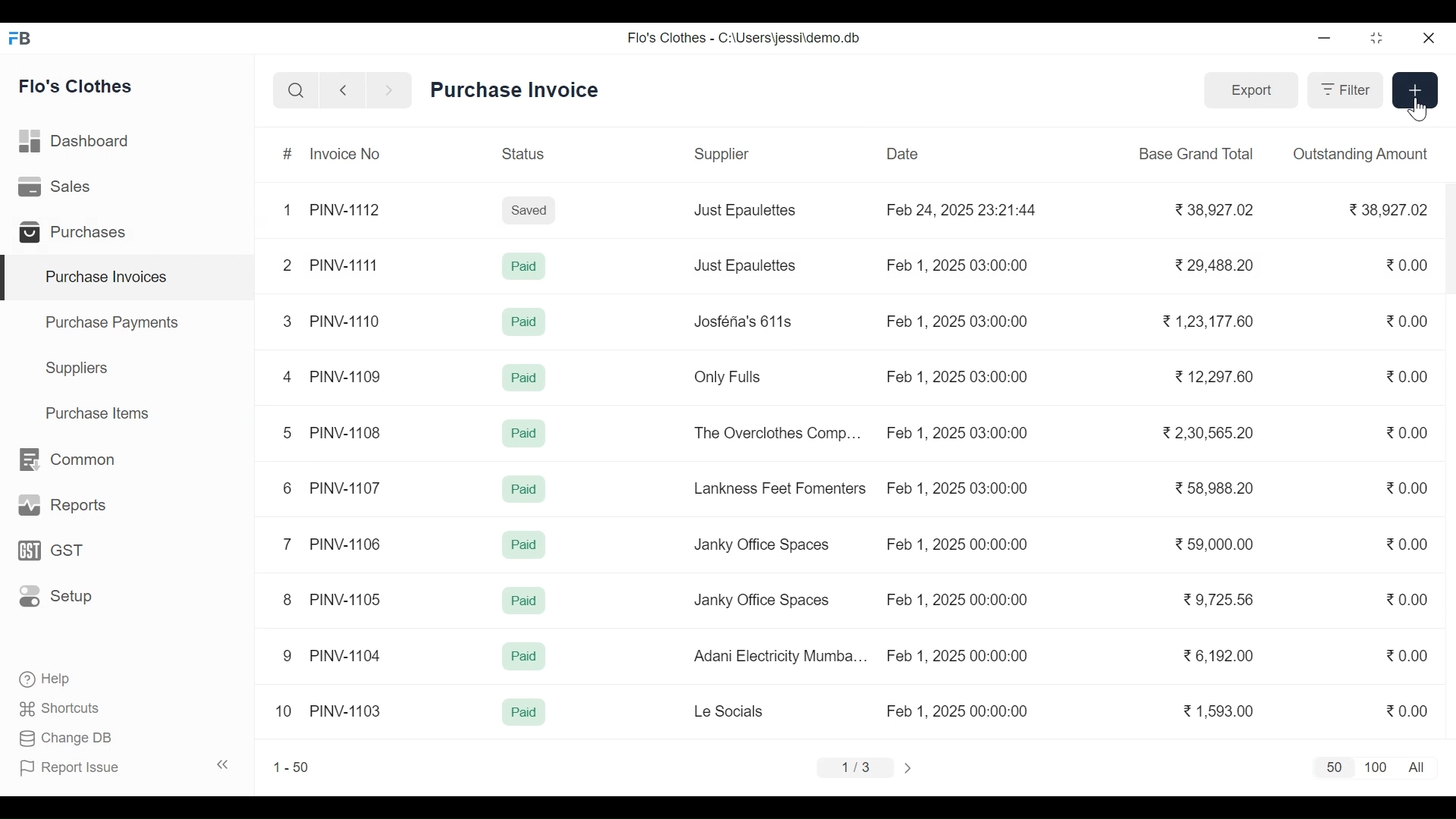 This screenshot has width=1456, height=819. What do you see at coordinates (287, 209) in the screenshot?
I see `1` at bounding box center [287, 209].